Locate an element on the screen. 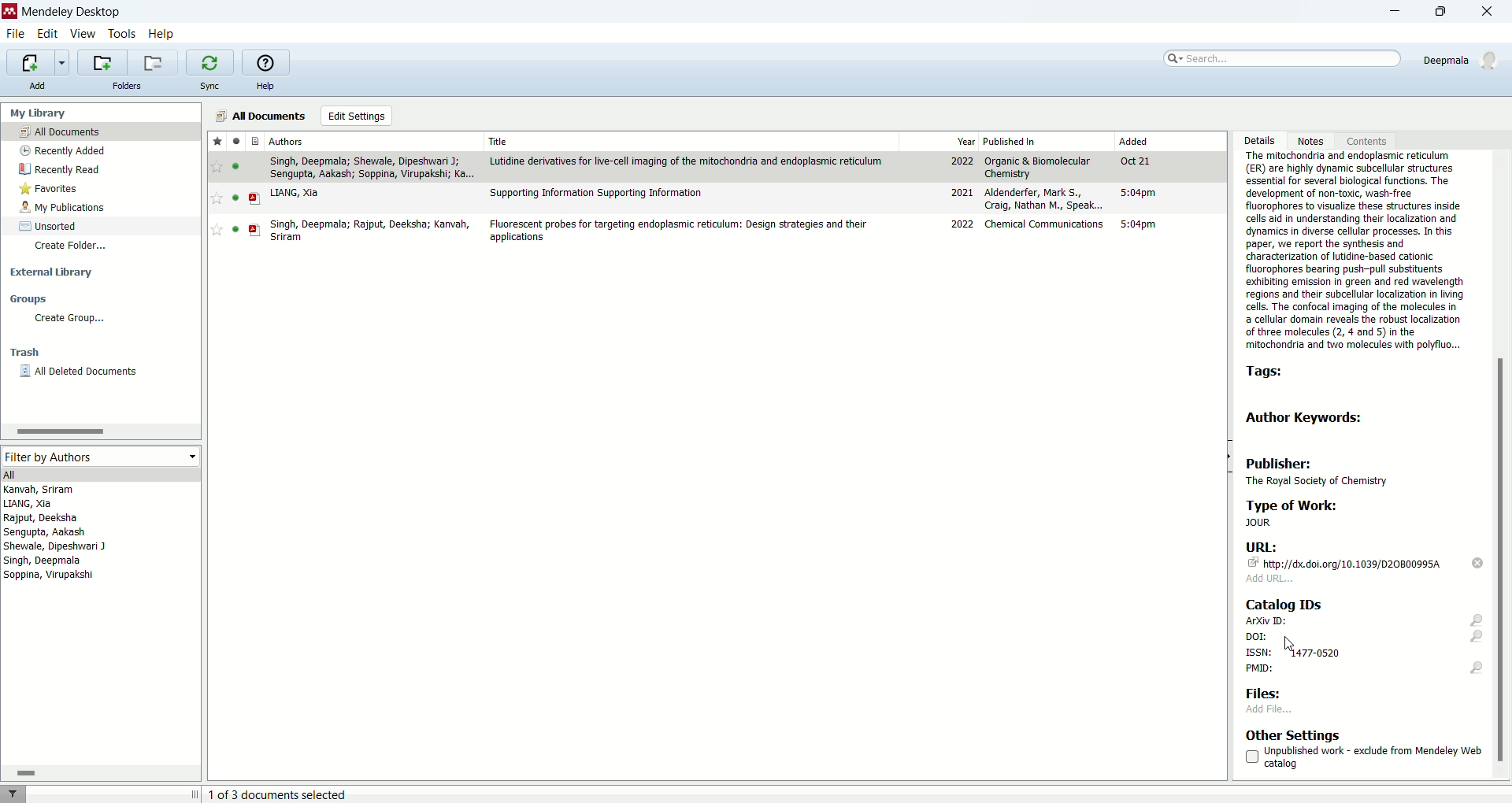 The width and height of the screenshot is (1512, 803). minimize is located at coordinates (1388, 13).